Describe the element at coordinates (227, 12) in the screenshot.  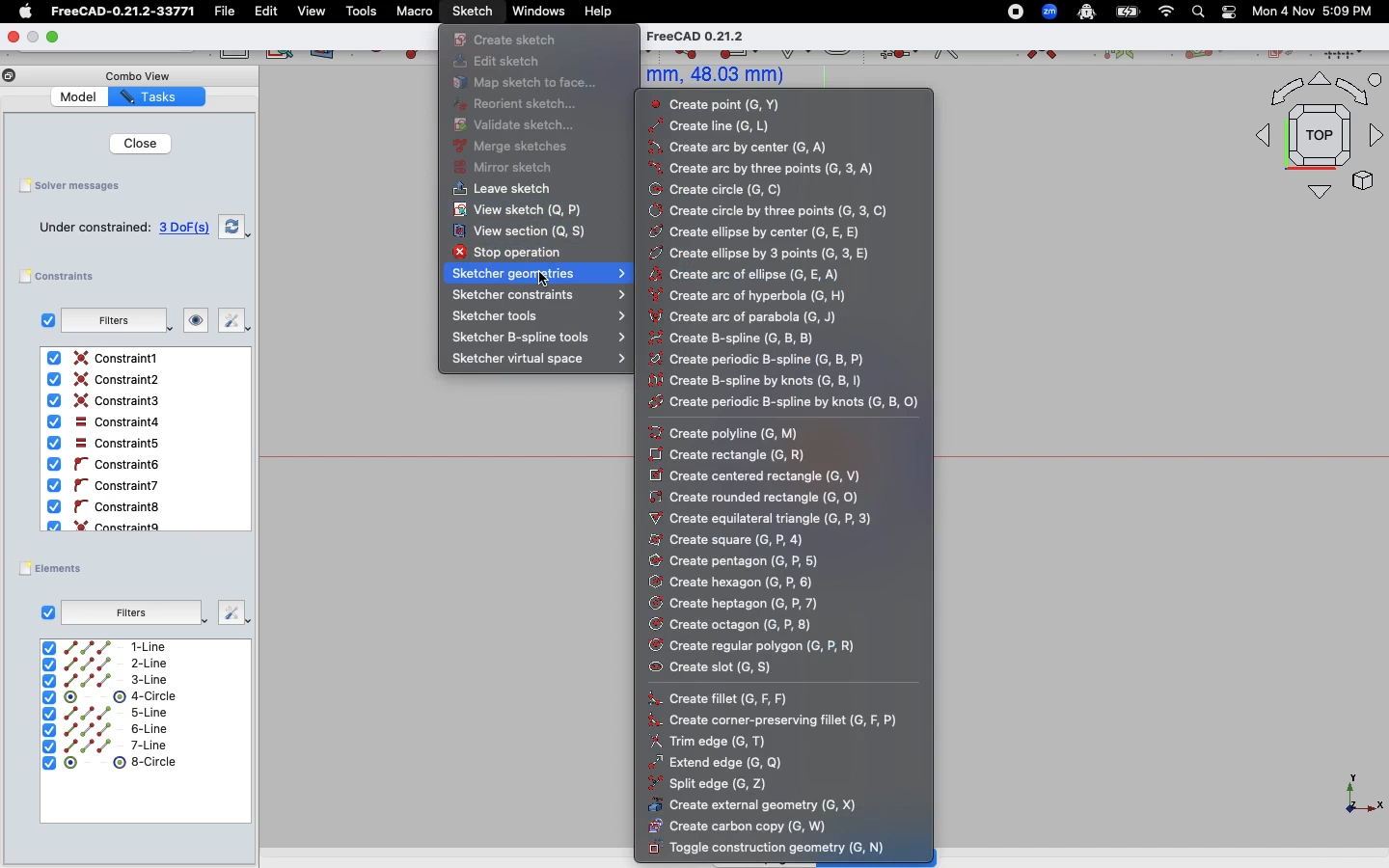
I see `File` at that location.